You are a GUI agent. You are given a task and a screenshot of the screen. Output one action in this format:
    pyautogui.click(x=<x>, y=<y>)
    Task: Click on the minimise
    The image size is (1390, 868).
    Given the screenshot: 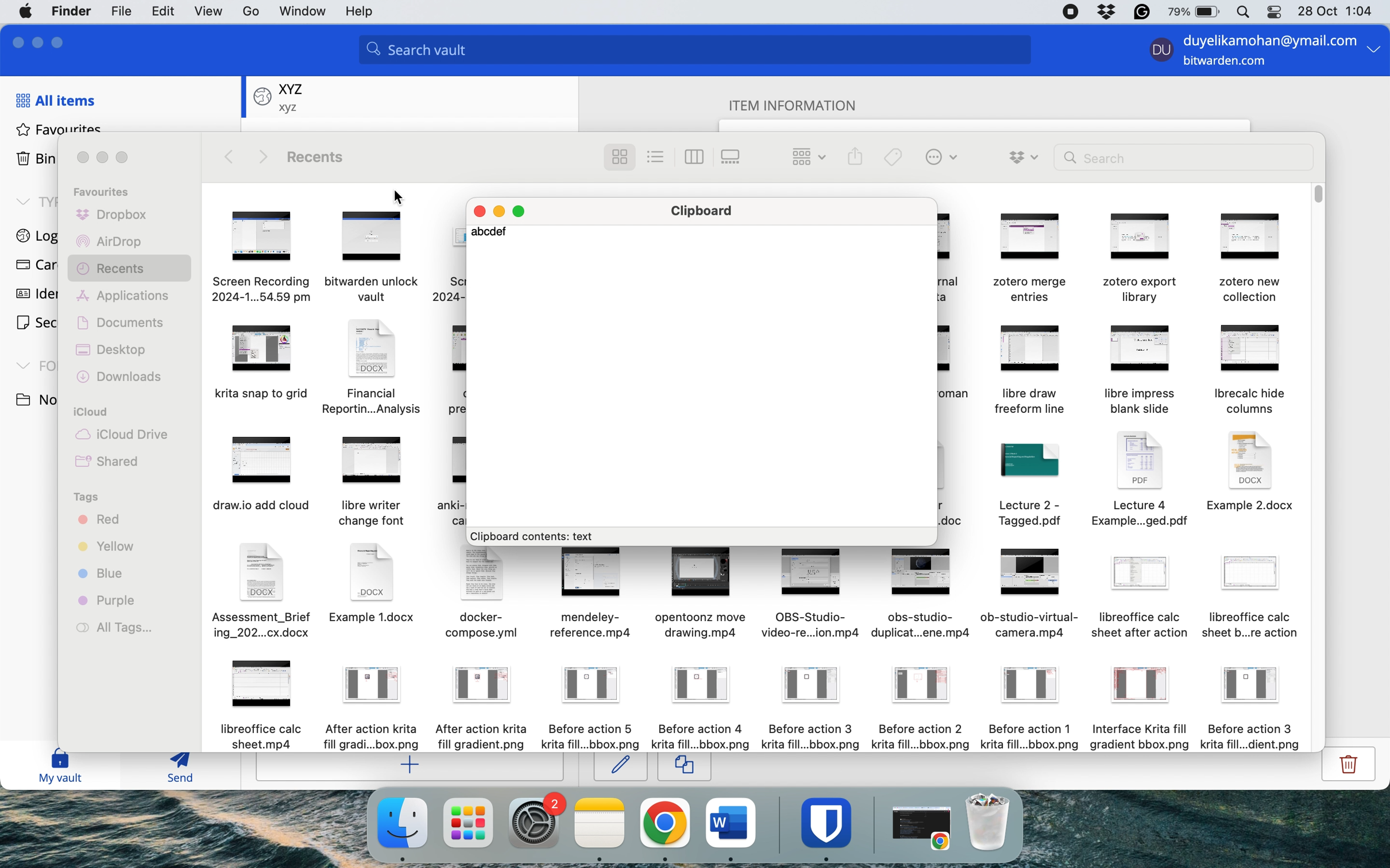 What is the action you would take?
    pyautogui.click(x=500, y=210)
    